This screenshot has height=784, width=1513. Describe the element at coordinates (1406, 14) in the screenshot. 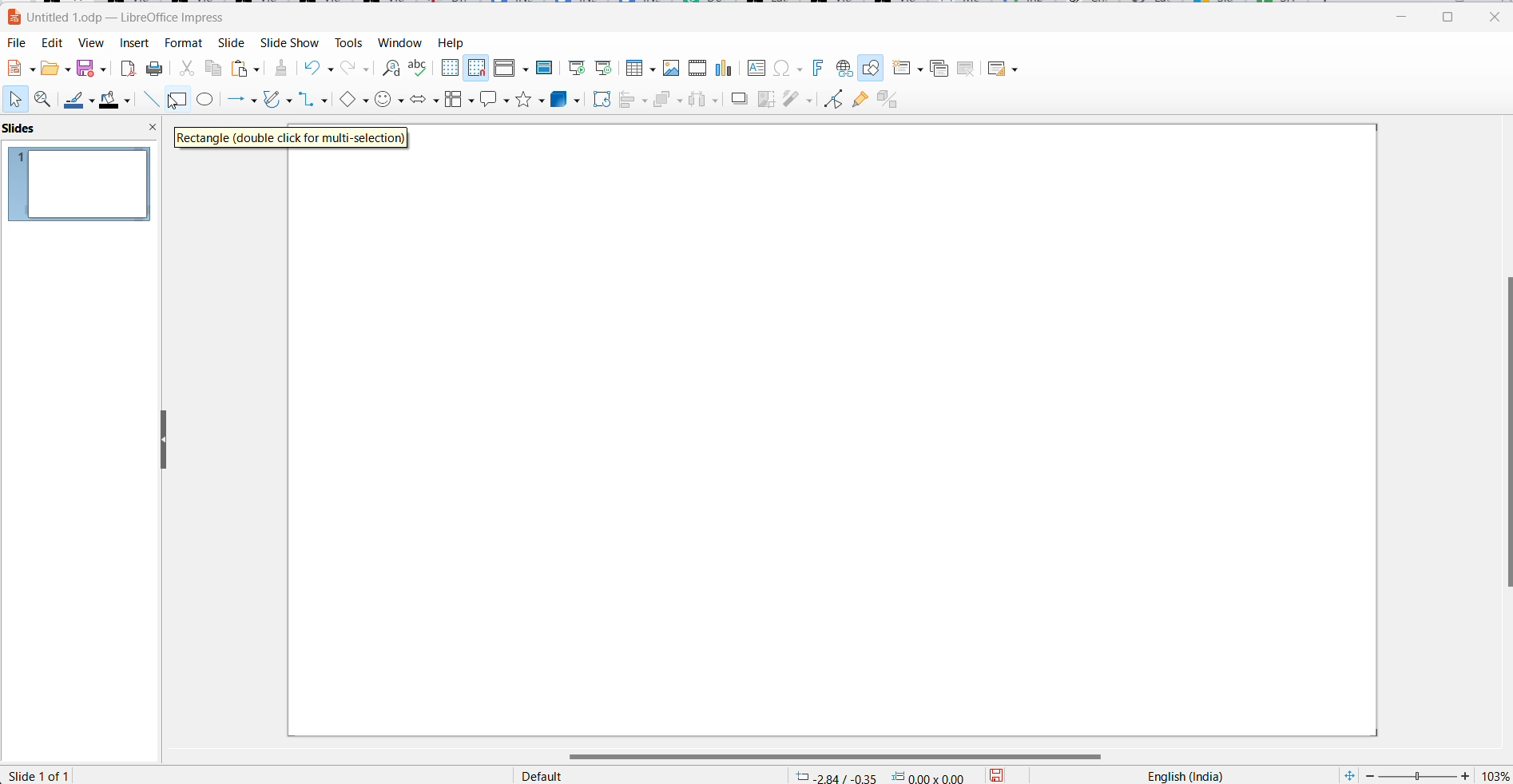

I see `minimize` at that location.